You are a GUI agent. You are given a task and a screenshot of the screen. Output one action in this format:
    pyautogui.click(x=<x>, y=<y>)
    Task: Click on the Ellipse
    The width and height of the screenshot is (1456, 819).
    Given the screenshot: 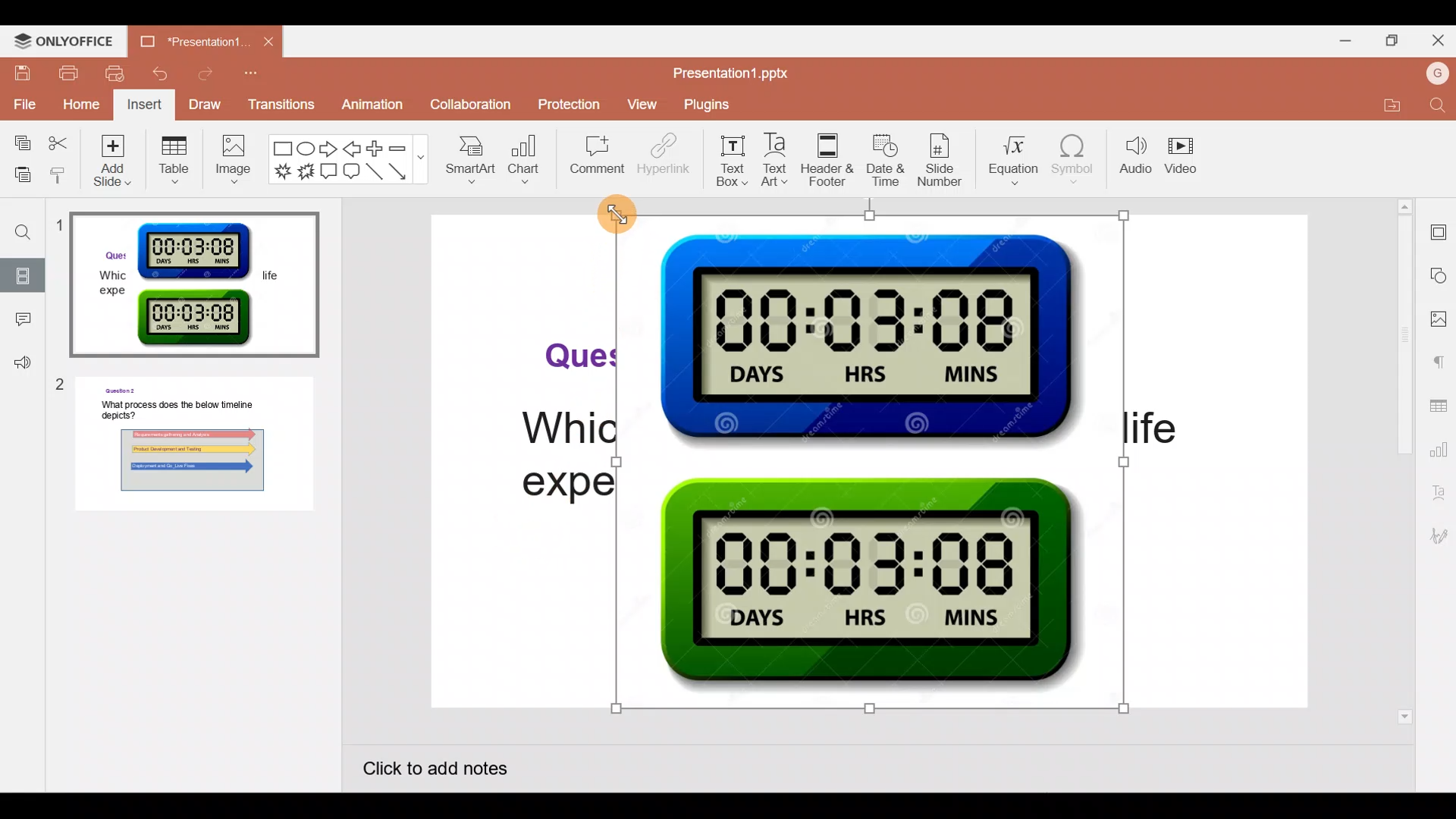 What is the action you would take?
    pyautogui.click(x=306, y=148)
    